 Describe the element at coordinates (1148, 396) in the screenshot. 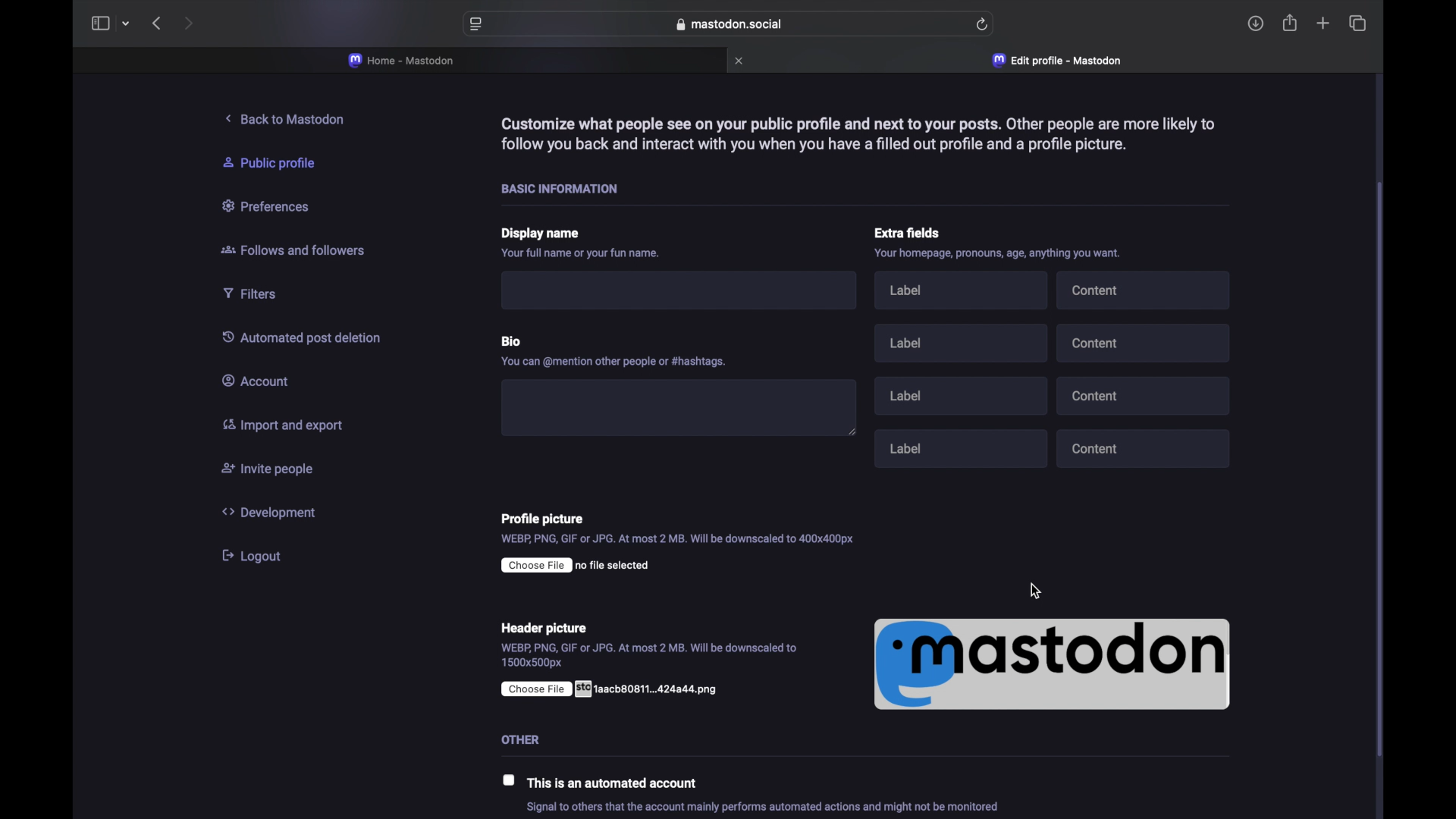

I see `content` at that location.